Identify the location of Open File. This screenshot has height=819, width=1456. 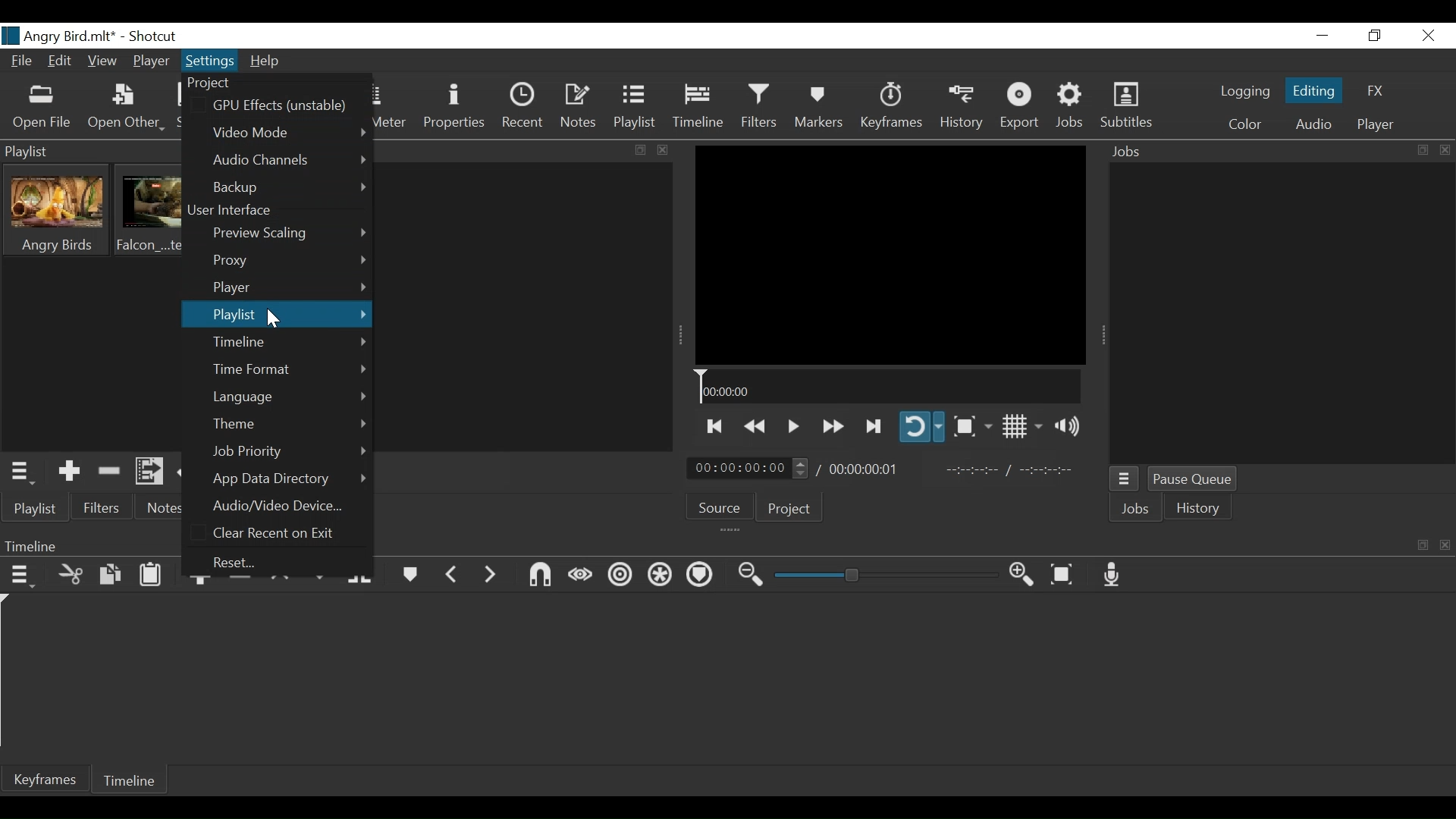
(43, 108).